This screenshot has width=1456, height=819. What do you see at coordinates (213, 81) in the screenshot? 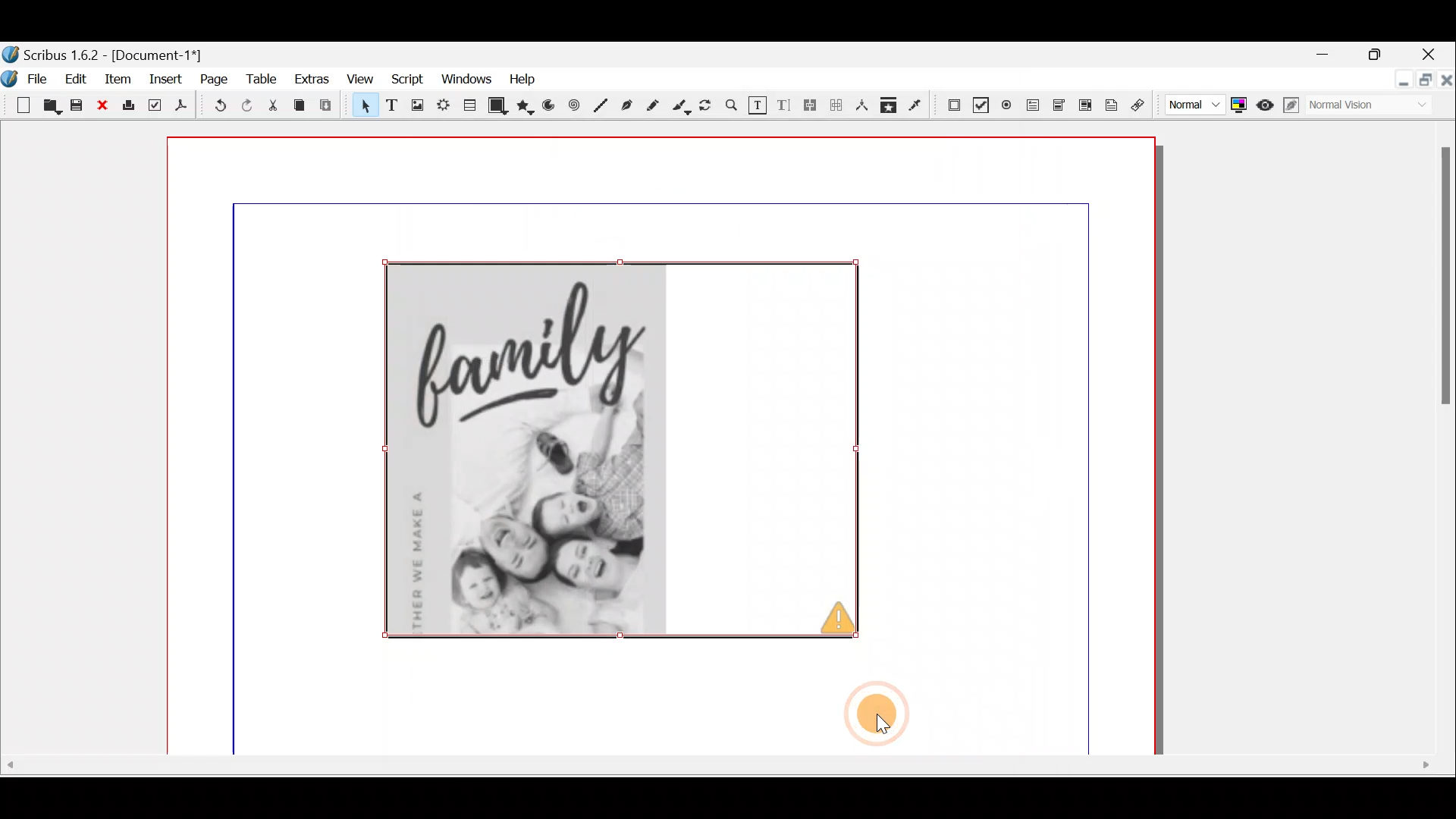
I see `Page` at bounding box center [213, 81].